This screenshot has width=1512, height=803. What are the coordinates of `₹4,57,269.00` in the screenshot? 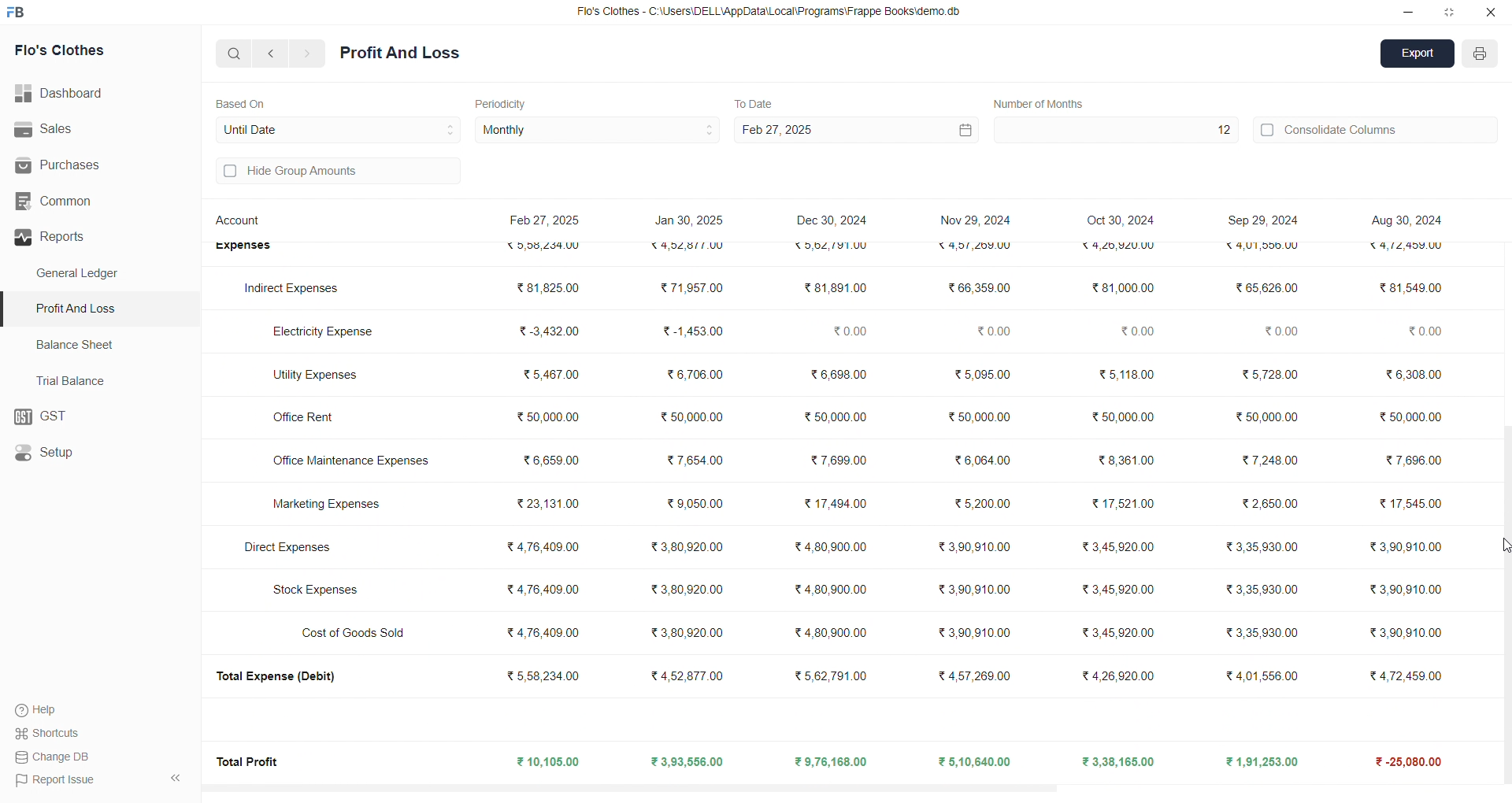 It's located at (972, 248).